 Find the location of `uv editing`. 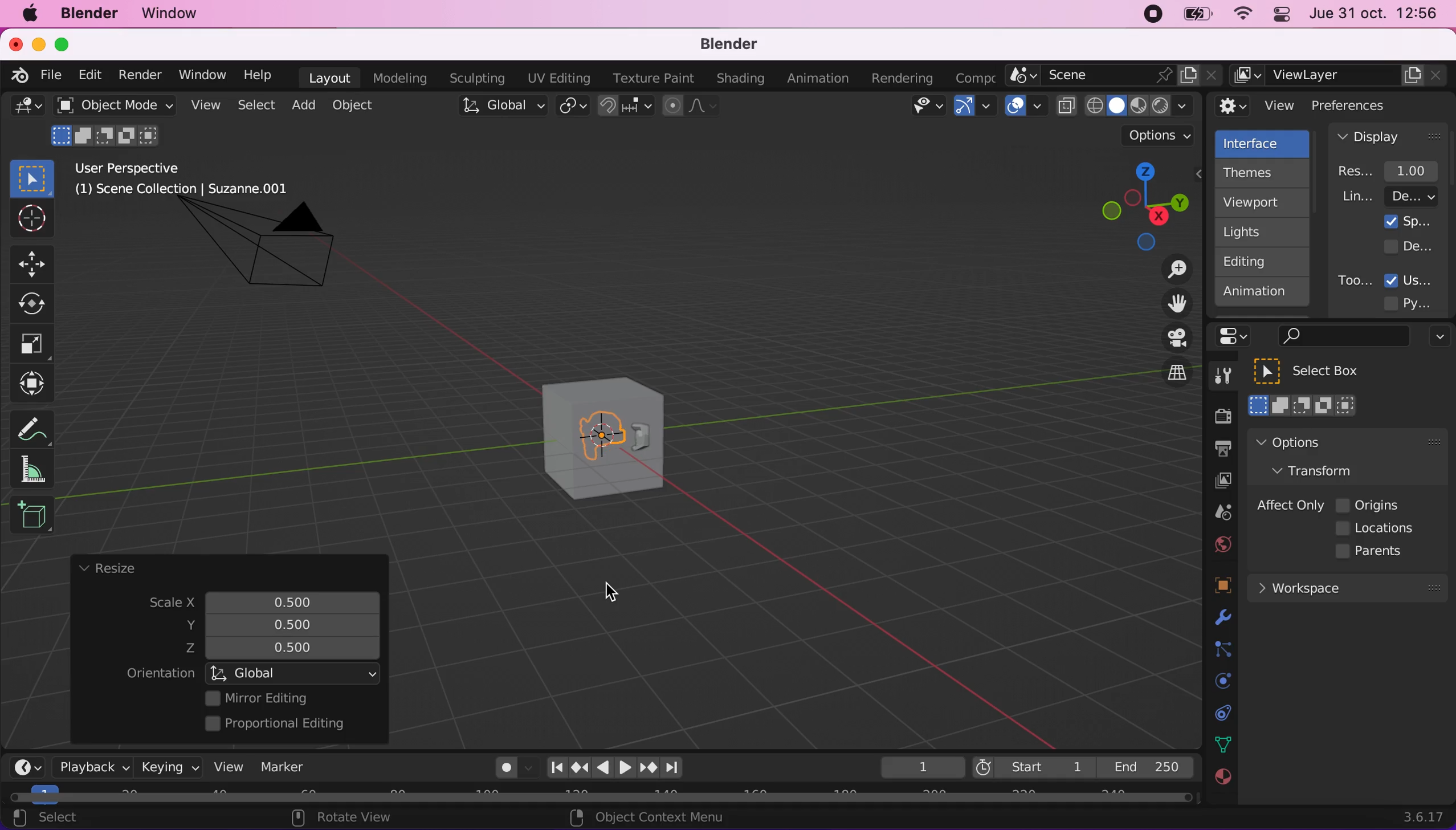

uv editing is located at coordinates (558, 78).